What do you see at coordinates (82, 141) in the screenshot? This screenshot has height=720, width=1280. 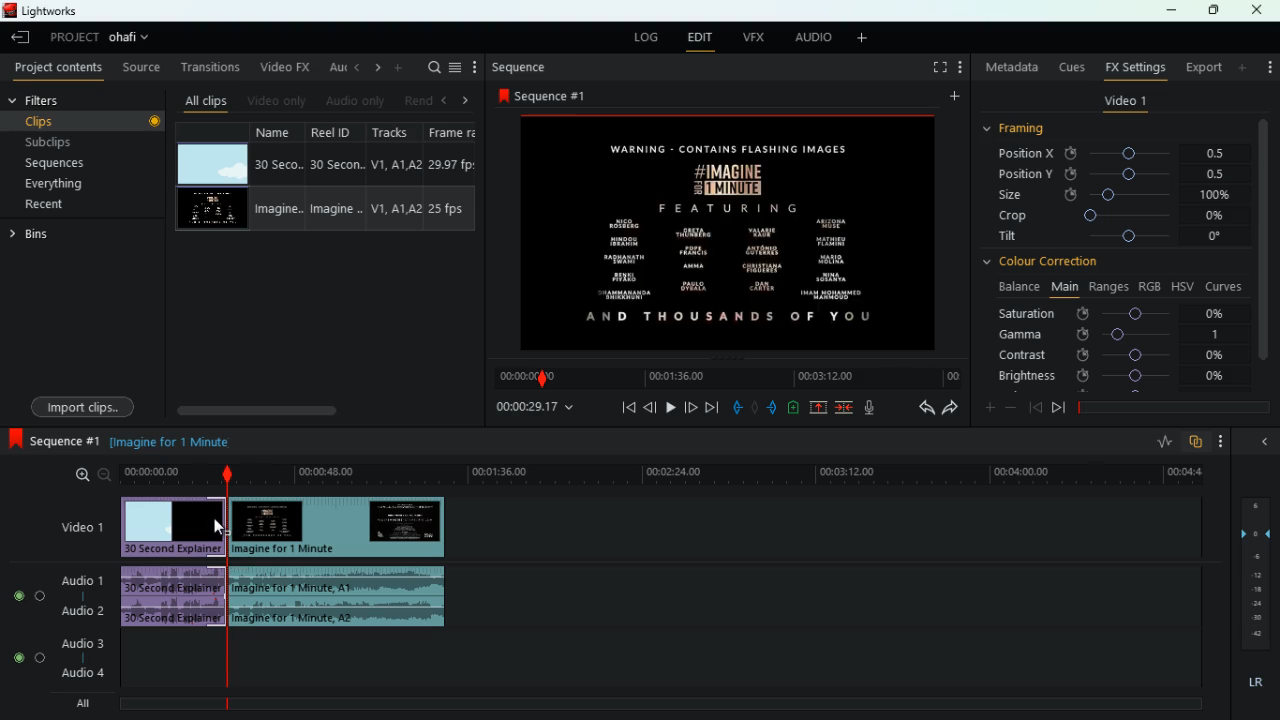 I see `subclips` at bounding box center [82, 141].